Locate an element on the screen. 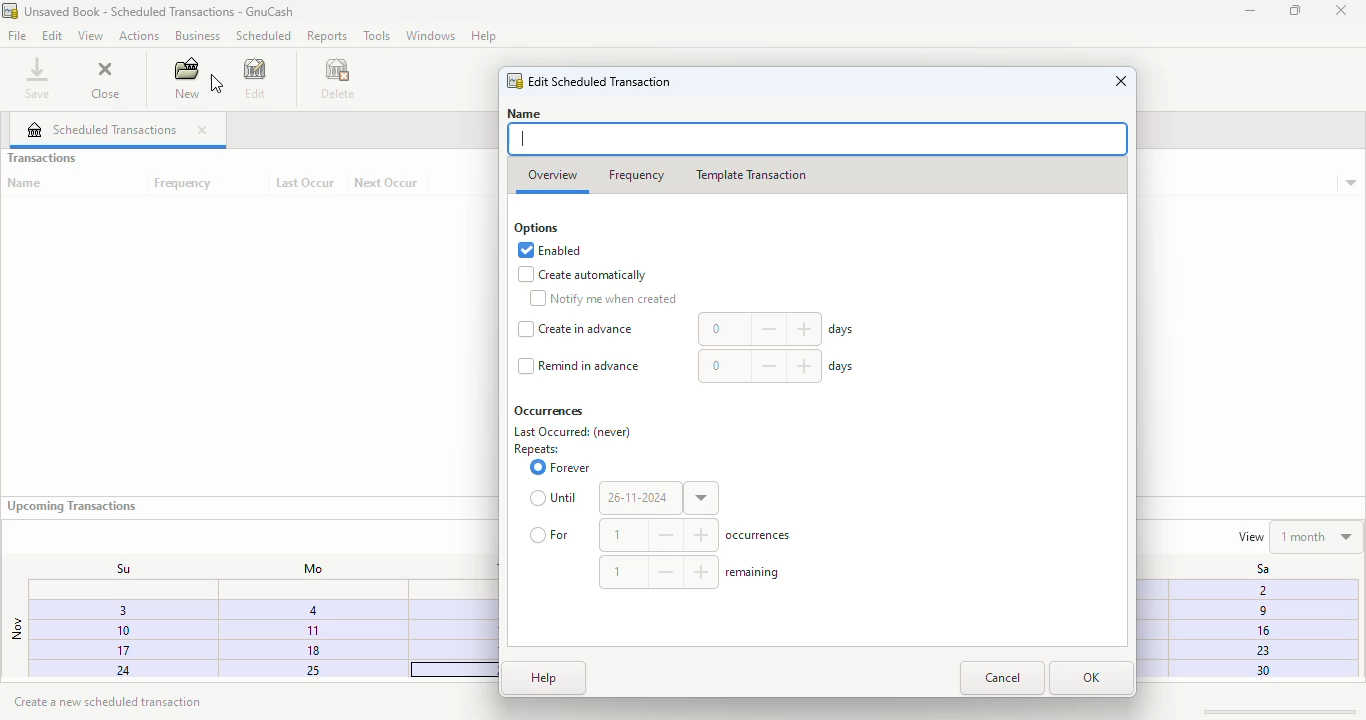 This screenshot has height=720, width=1366. frequency is located at coordinates (637, 176).